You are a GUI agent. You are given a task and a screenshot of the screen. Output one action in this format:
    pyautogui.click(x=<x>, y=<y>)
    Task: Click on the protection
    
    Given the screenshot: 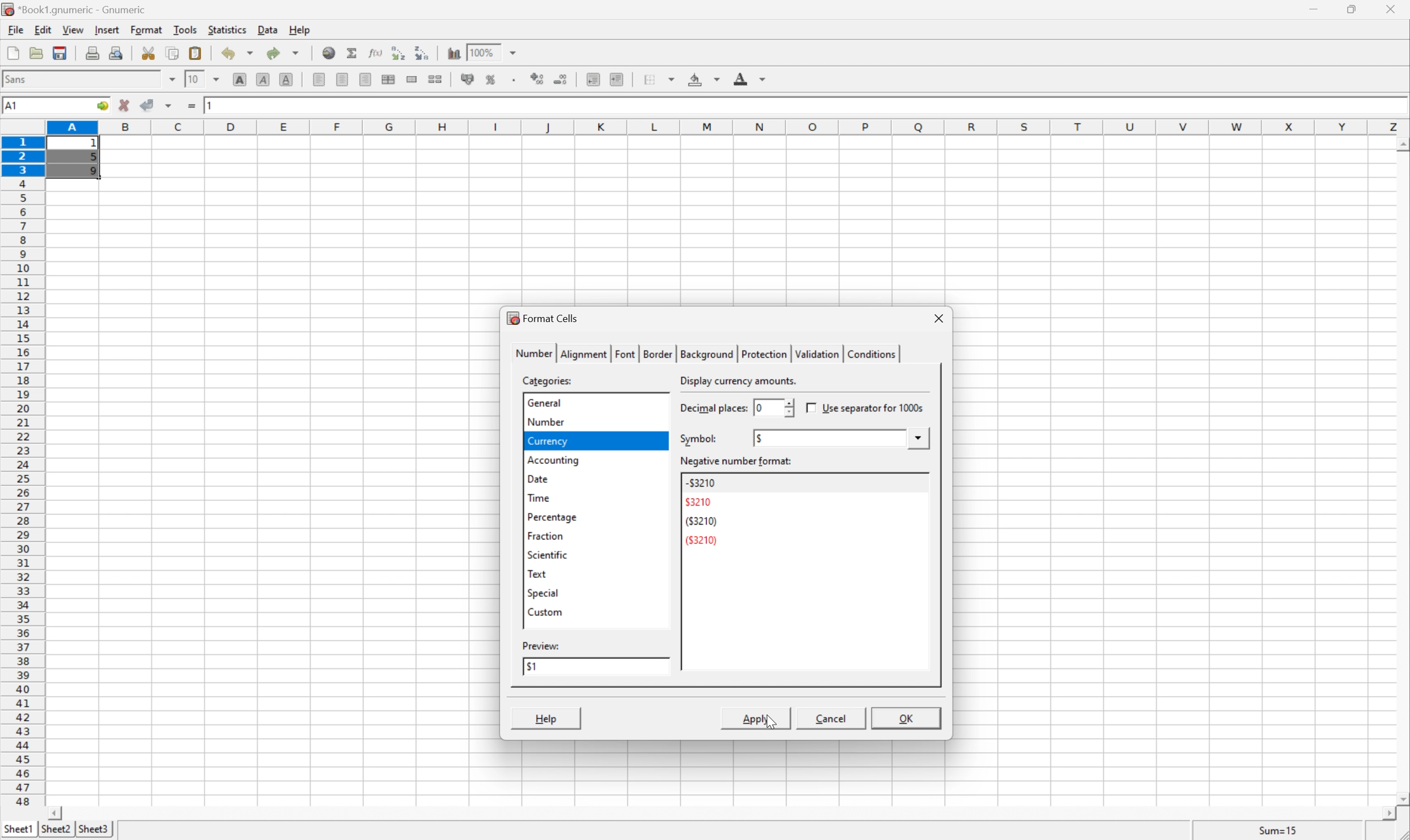 What is the action you would take?
    pyautogui.click(x=762, y=354)
    